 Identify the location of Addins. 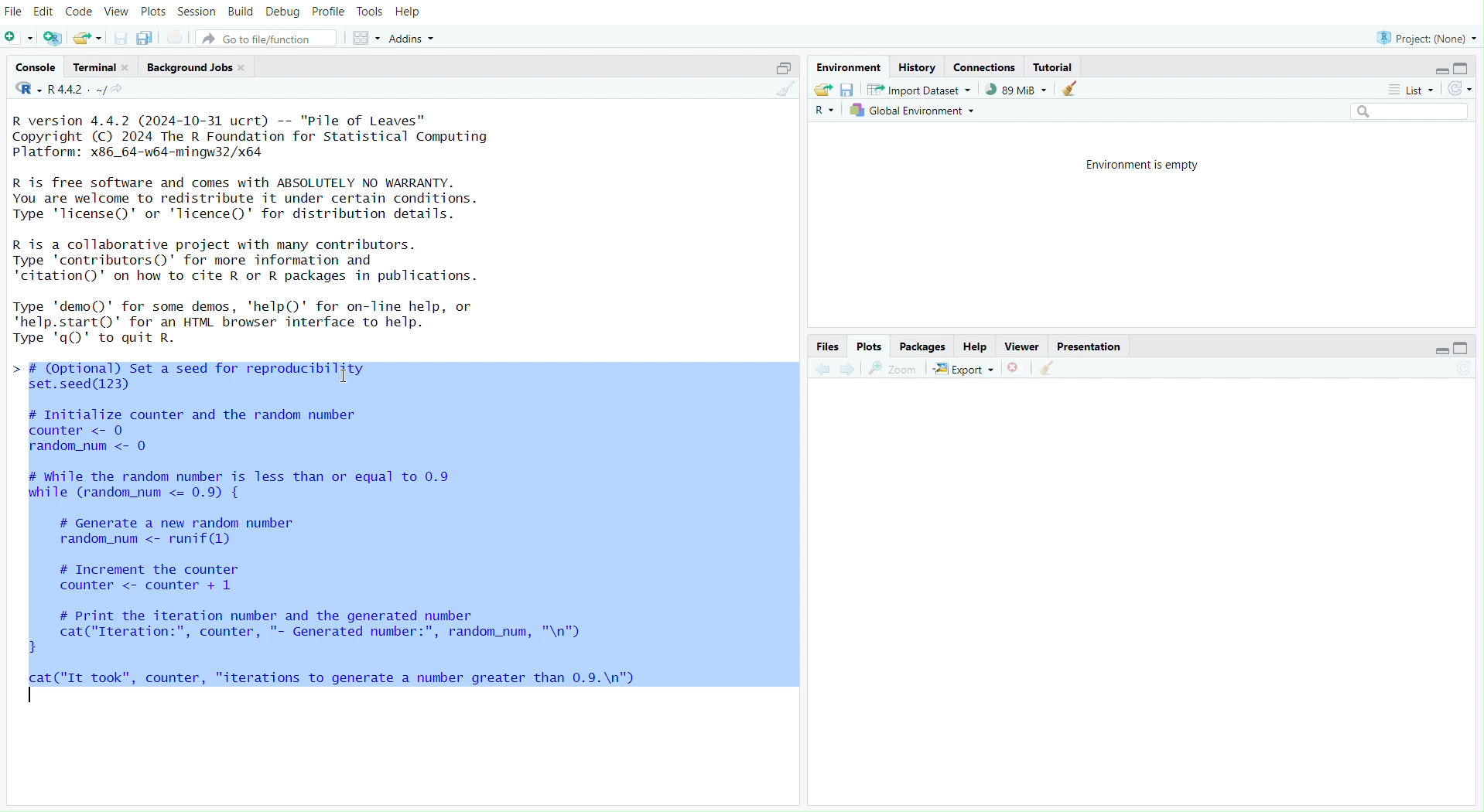
(412, 36).